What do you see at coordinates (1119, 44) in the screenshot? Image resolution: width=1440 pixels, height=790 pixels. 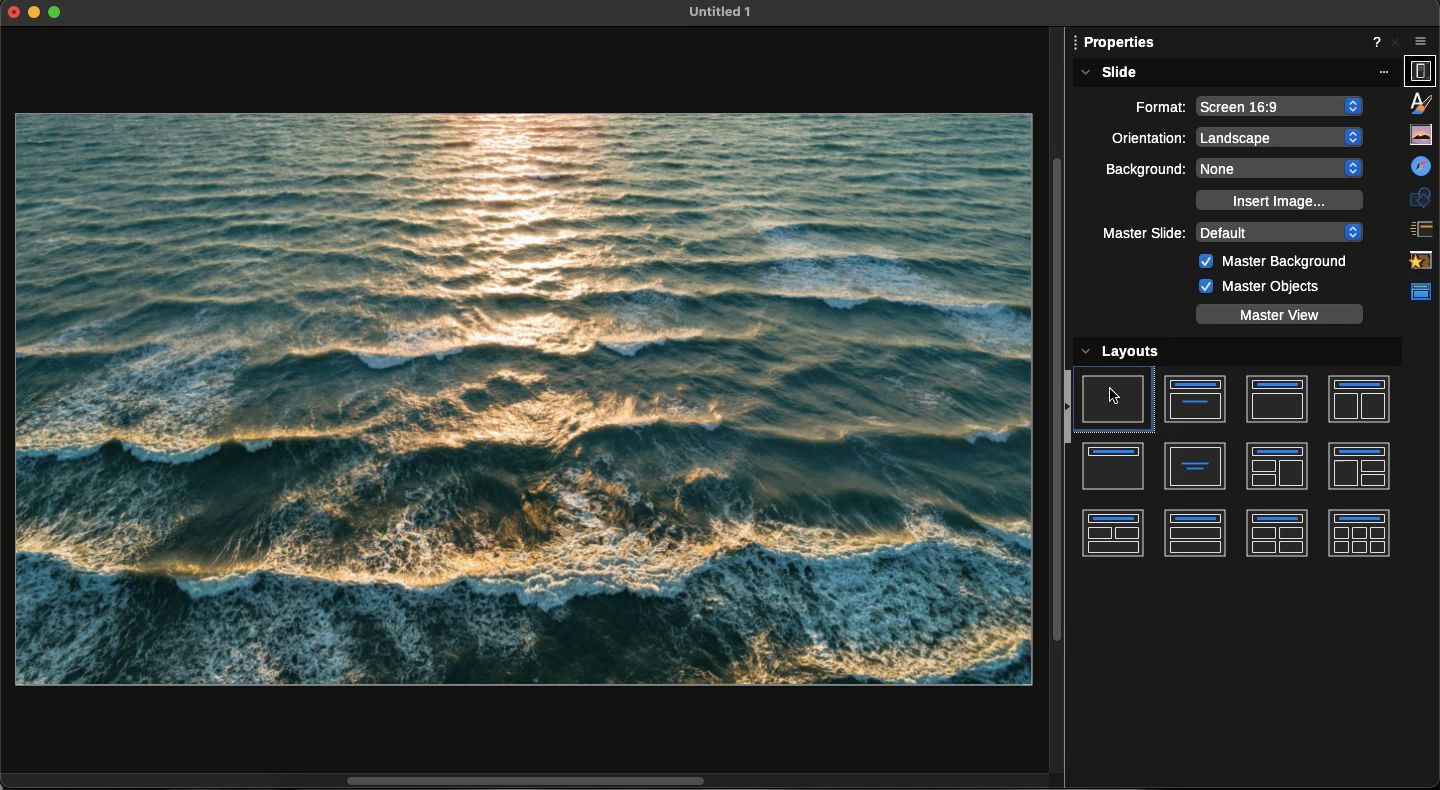 I see `Properties` at bounding box center [1119, 44].